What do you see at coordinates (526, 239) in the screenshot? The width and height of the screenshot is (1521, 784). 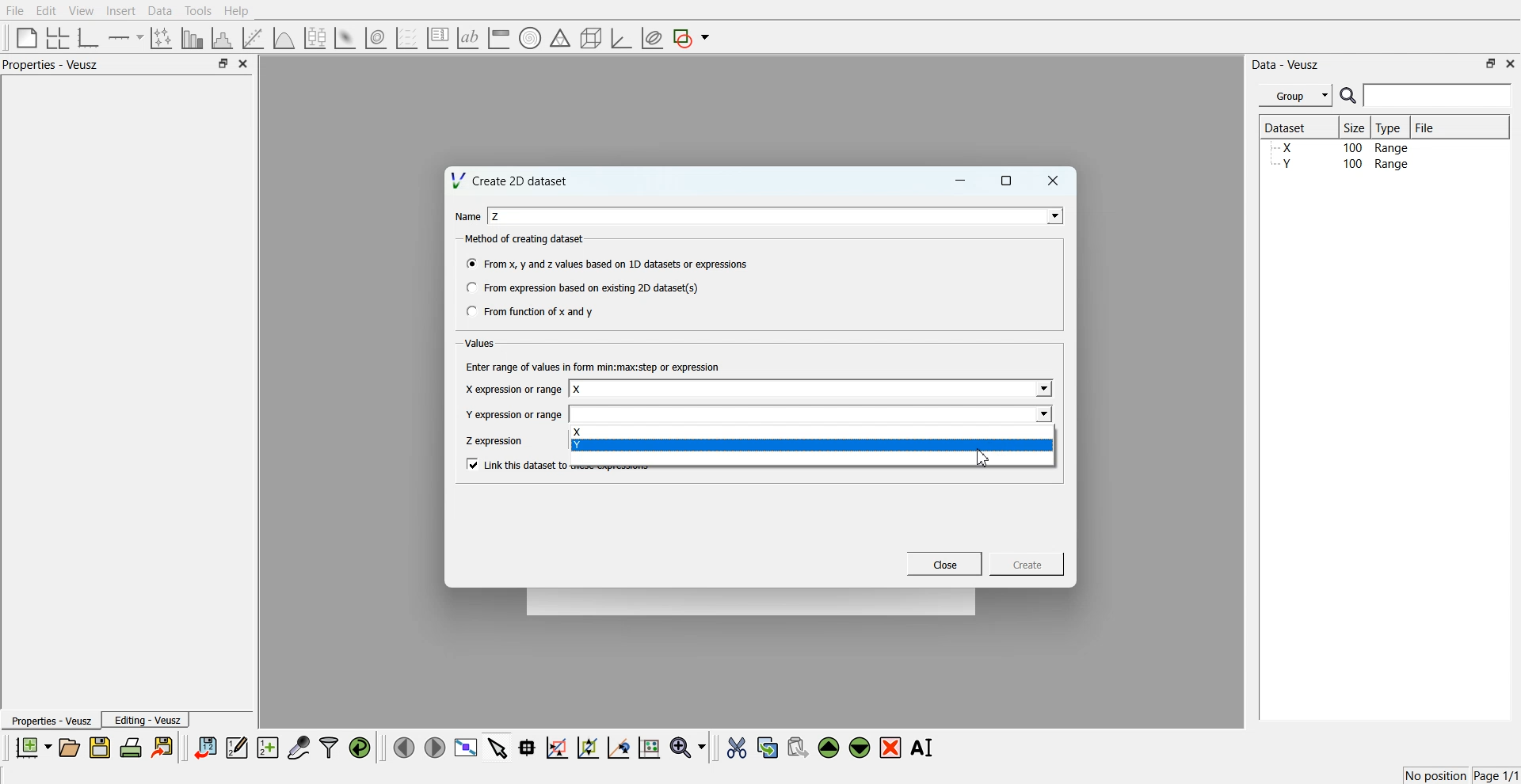 I see `Method of creating dataset` at bounding box center [526, 239].